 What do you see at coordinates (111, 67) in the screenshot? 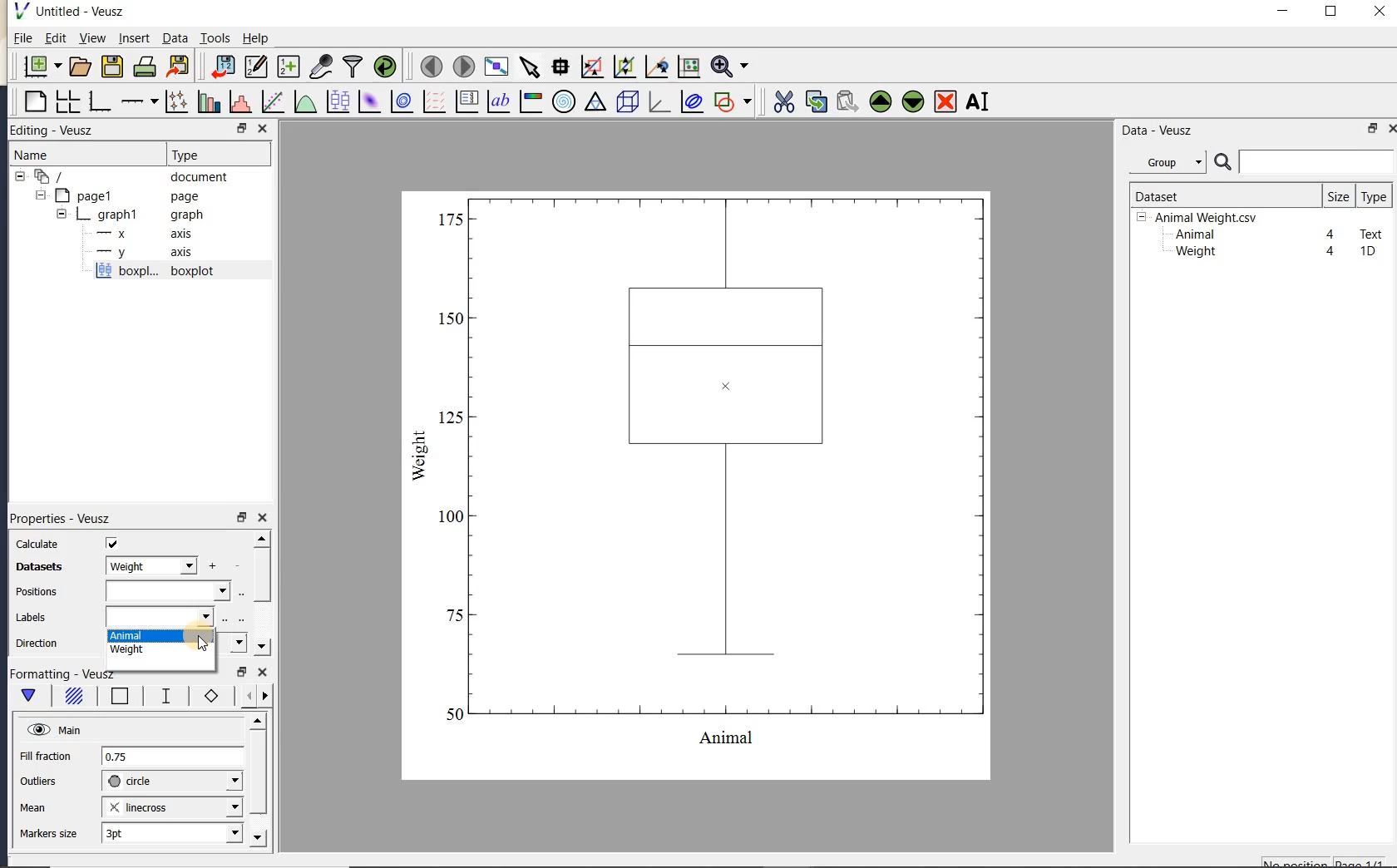
I see `save the document` at bounding box center [111, 67].